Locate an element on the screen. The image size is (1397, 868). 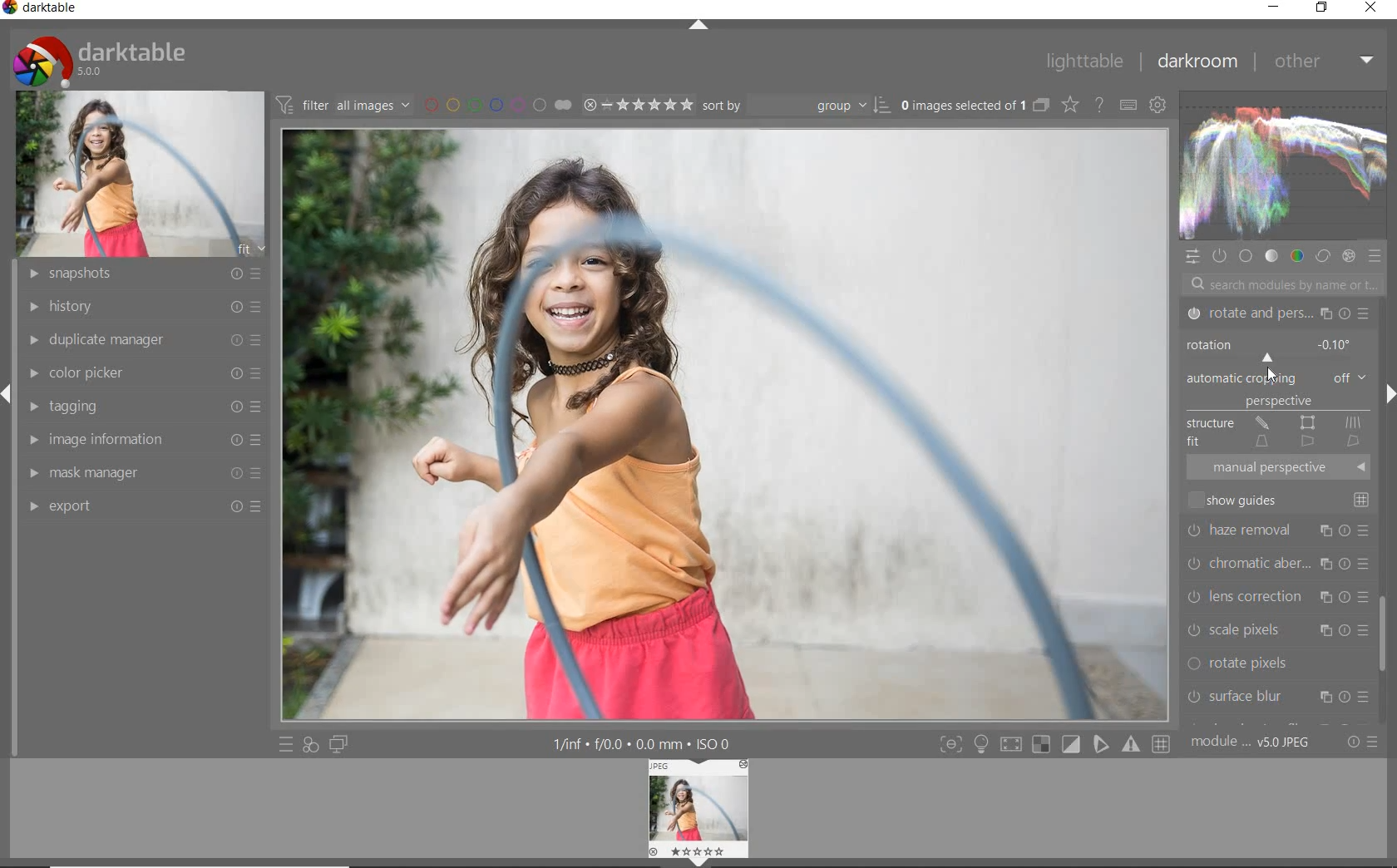
quick access for applying of your style is located at coordinates (309, 743).